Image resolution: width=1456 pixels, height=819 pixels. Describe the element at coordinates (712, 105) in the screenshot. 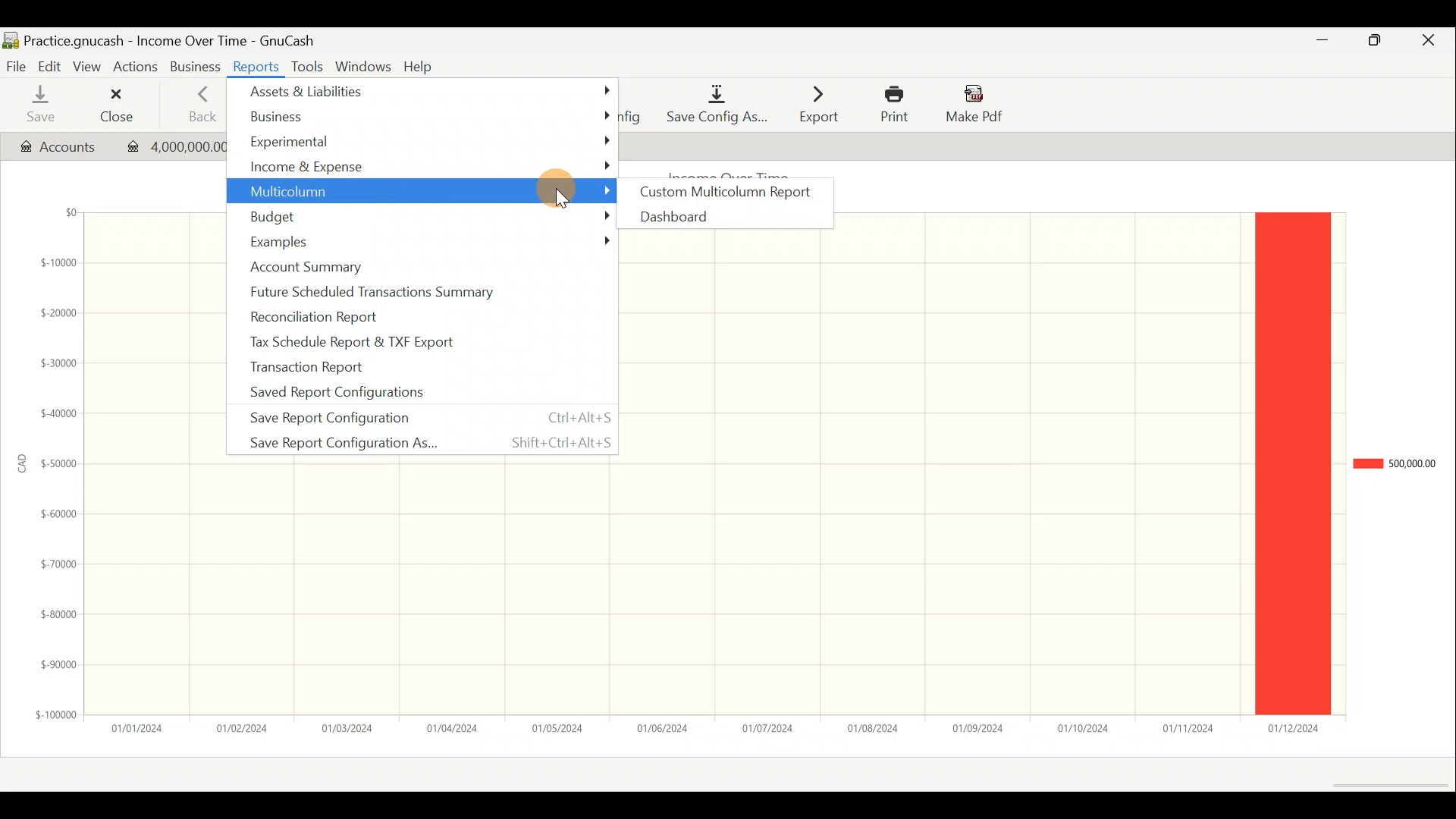

I see `Save config as` at that location.